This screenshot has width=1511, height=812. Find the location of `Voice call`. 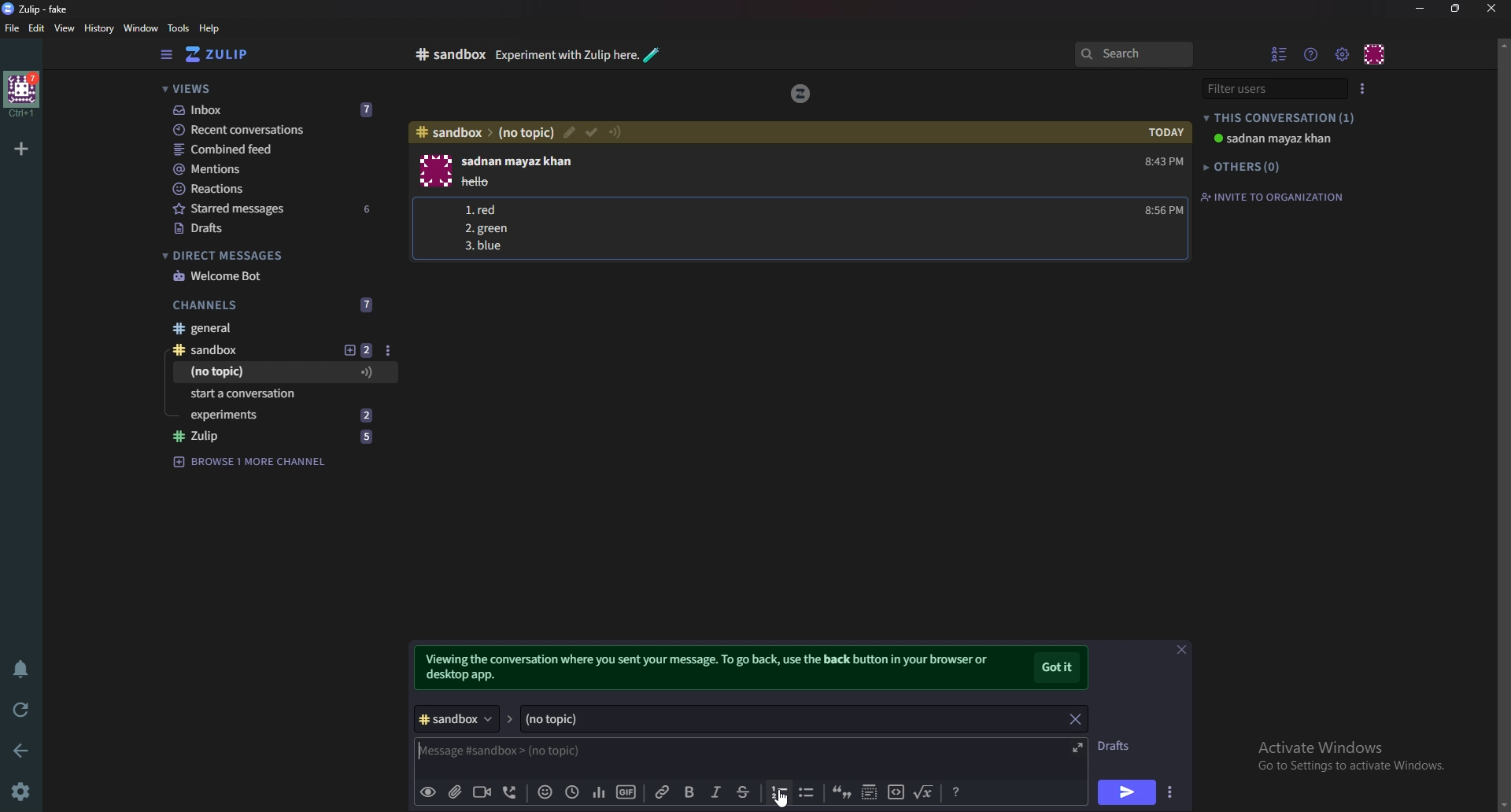

Voice call is located at coordinates (508, 794).